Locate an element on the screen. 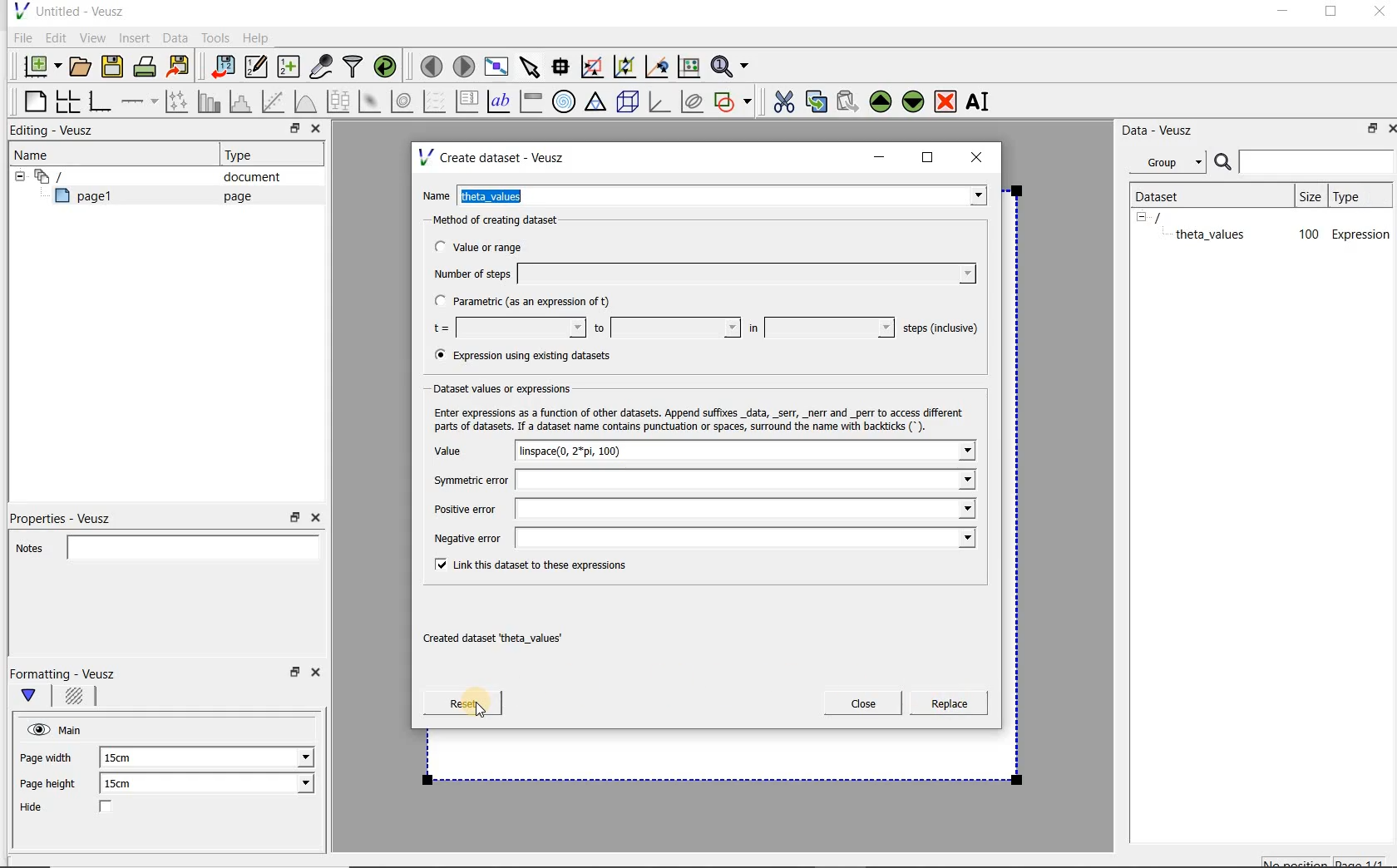  Type is located at coordinates (245, 155).